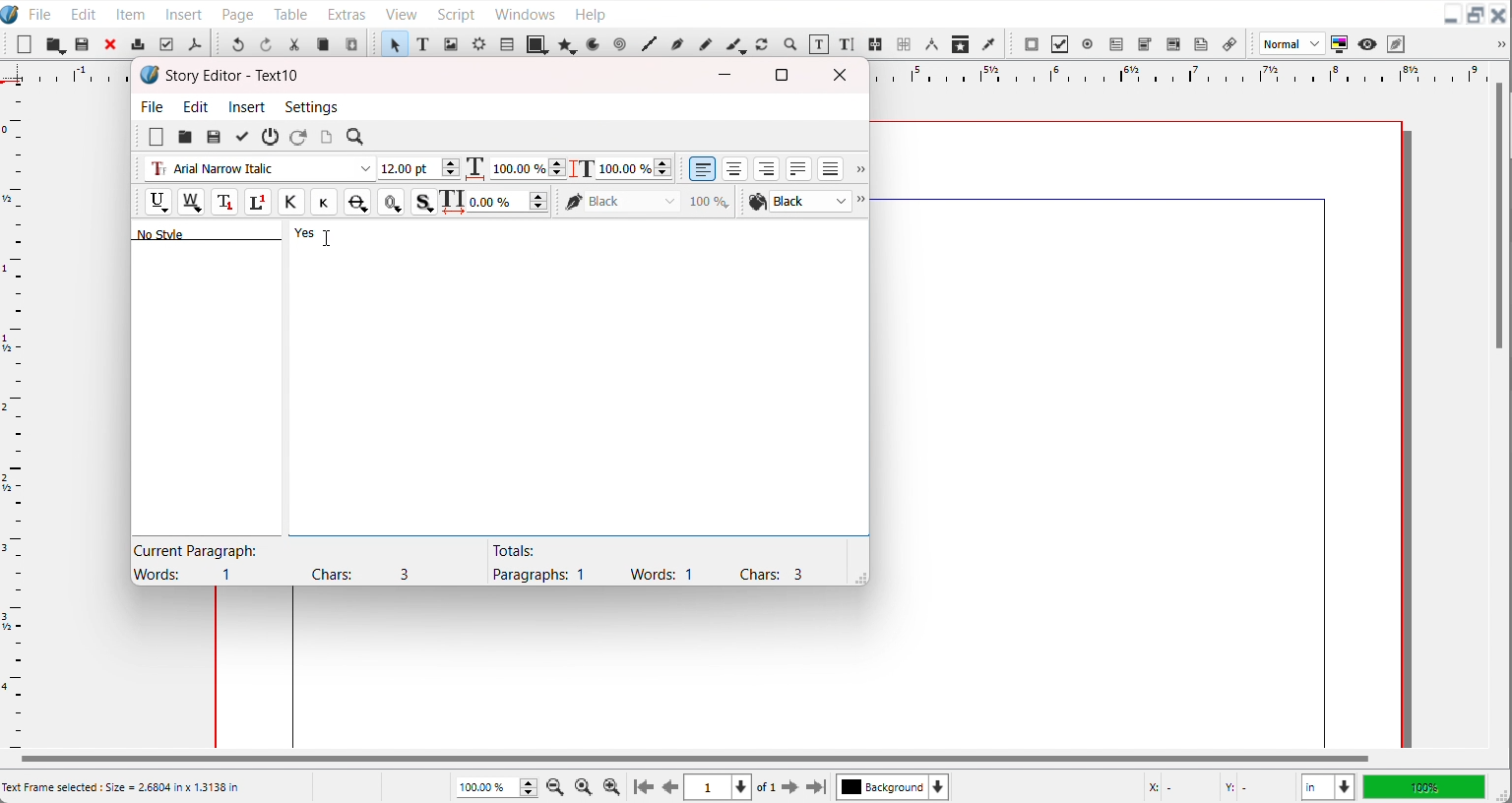 This screenshot has height=803, width=1512. I want to click on Go to previous page, so click(670, 787).